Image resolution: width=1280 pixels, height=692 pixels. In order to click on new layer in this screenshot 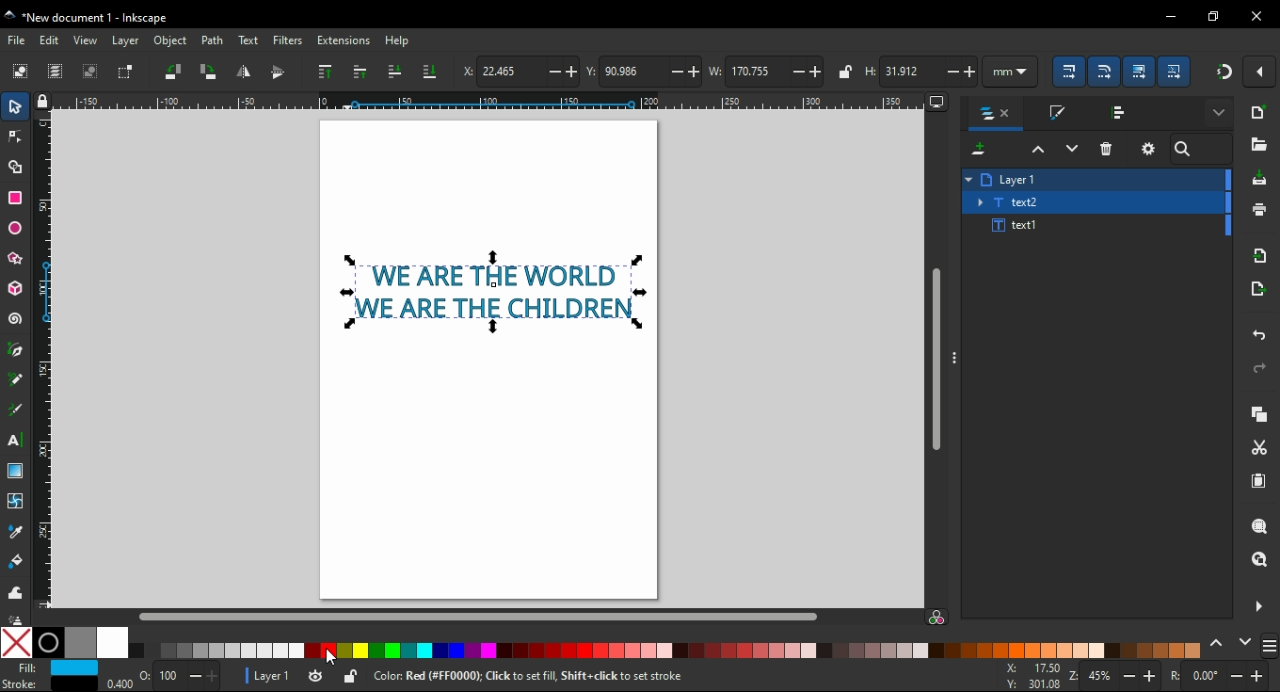, I will do `click(978, 149)`.